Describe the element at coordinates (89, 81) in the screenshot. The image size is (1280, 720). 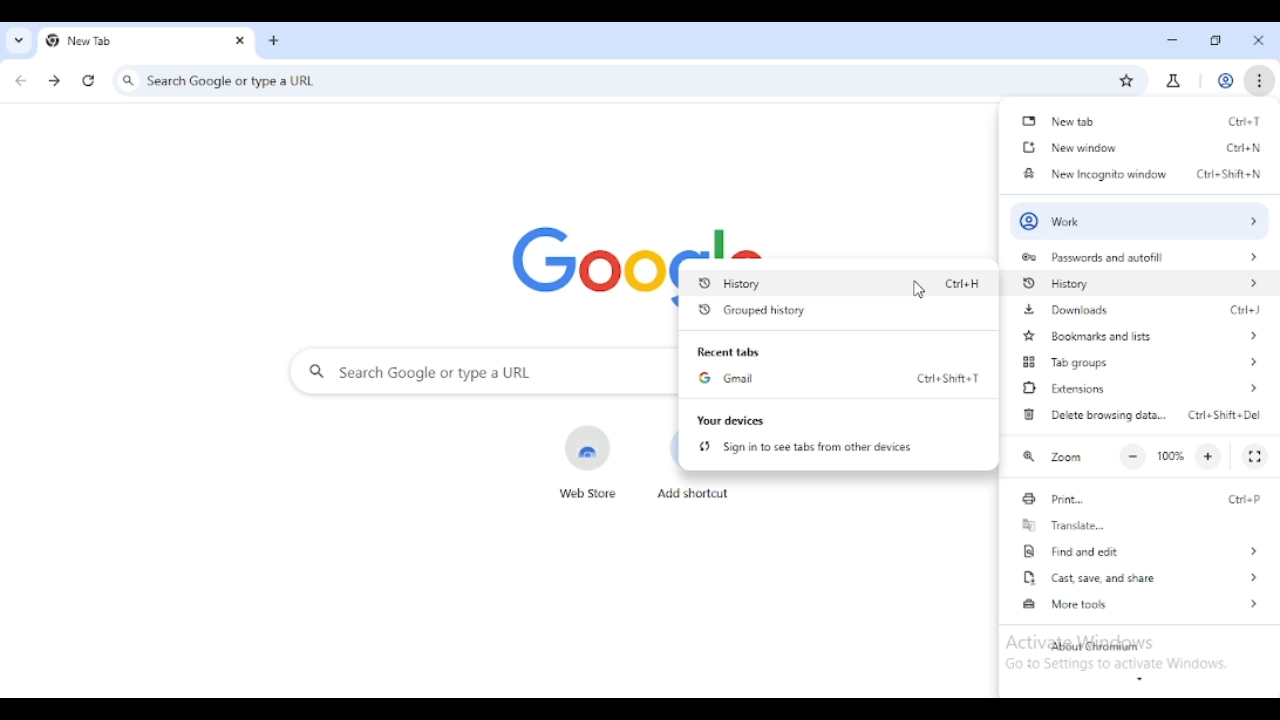
I see `reload this page` at that location.